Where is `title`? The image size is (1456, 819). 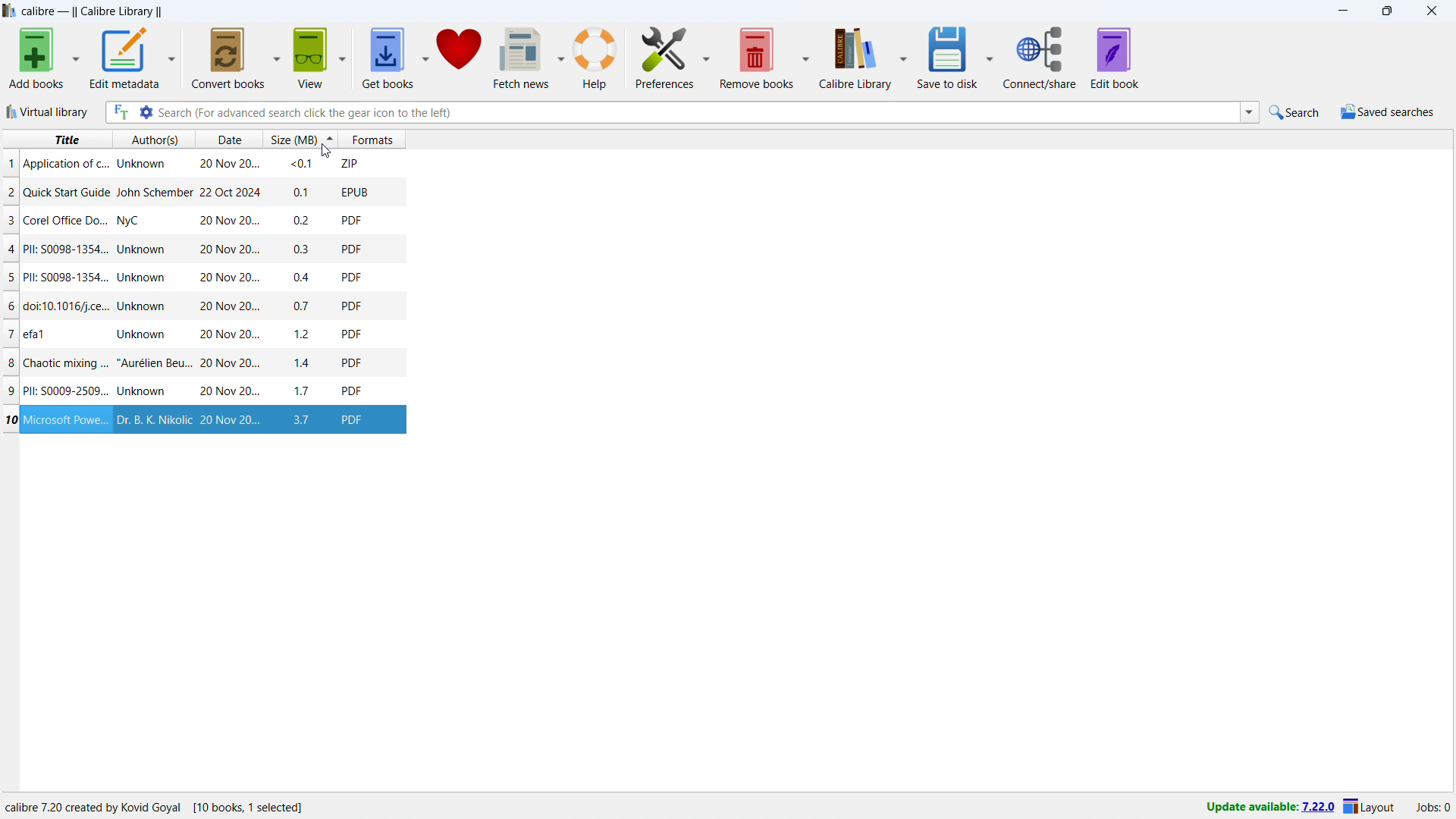 title is located at coordinates (67, 248).